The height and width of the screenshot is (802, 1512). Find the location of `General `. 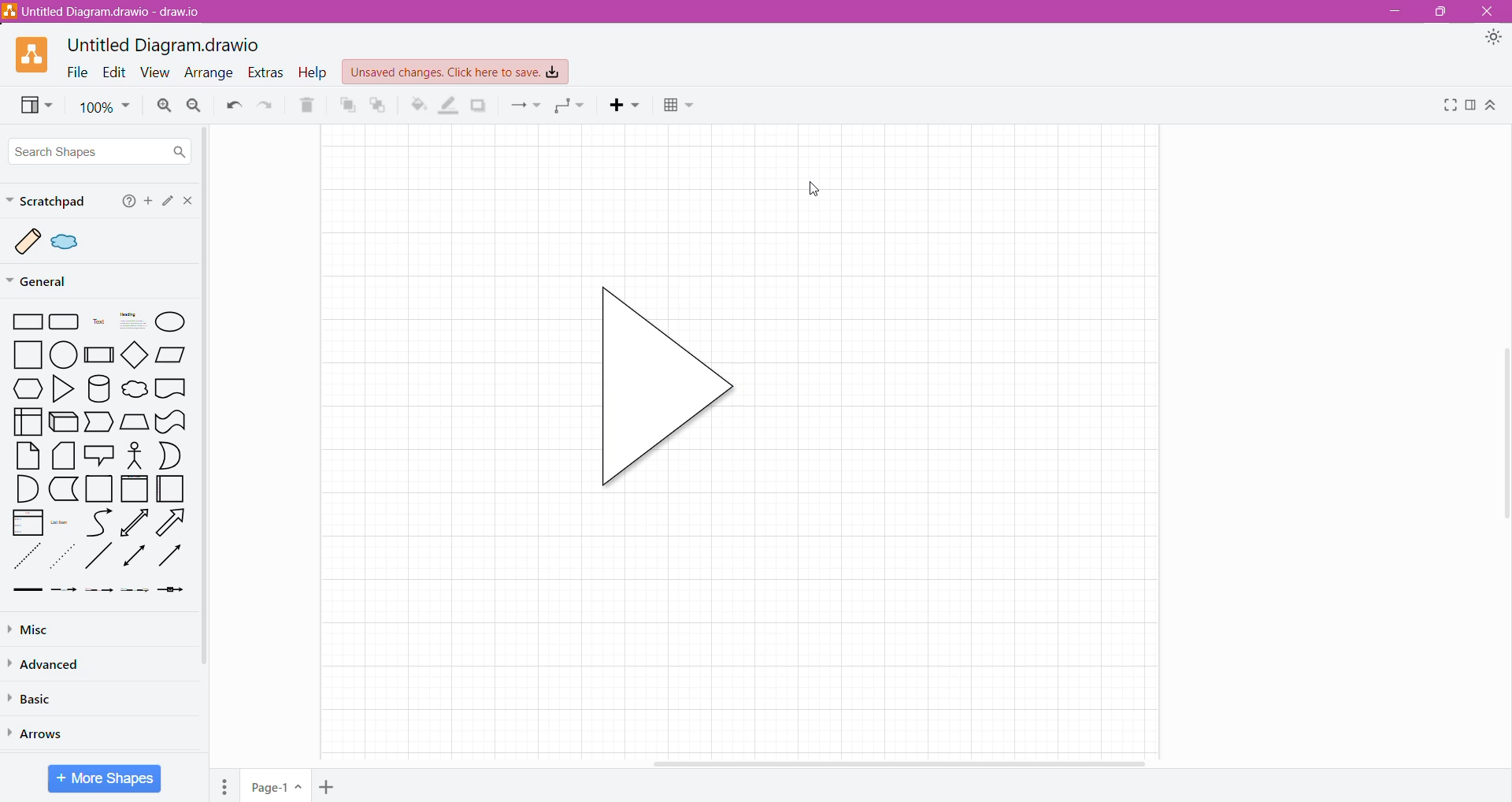

General  is located at coordinates (49, 282).